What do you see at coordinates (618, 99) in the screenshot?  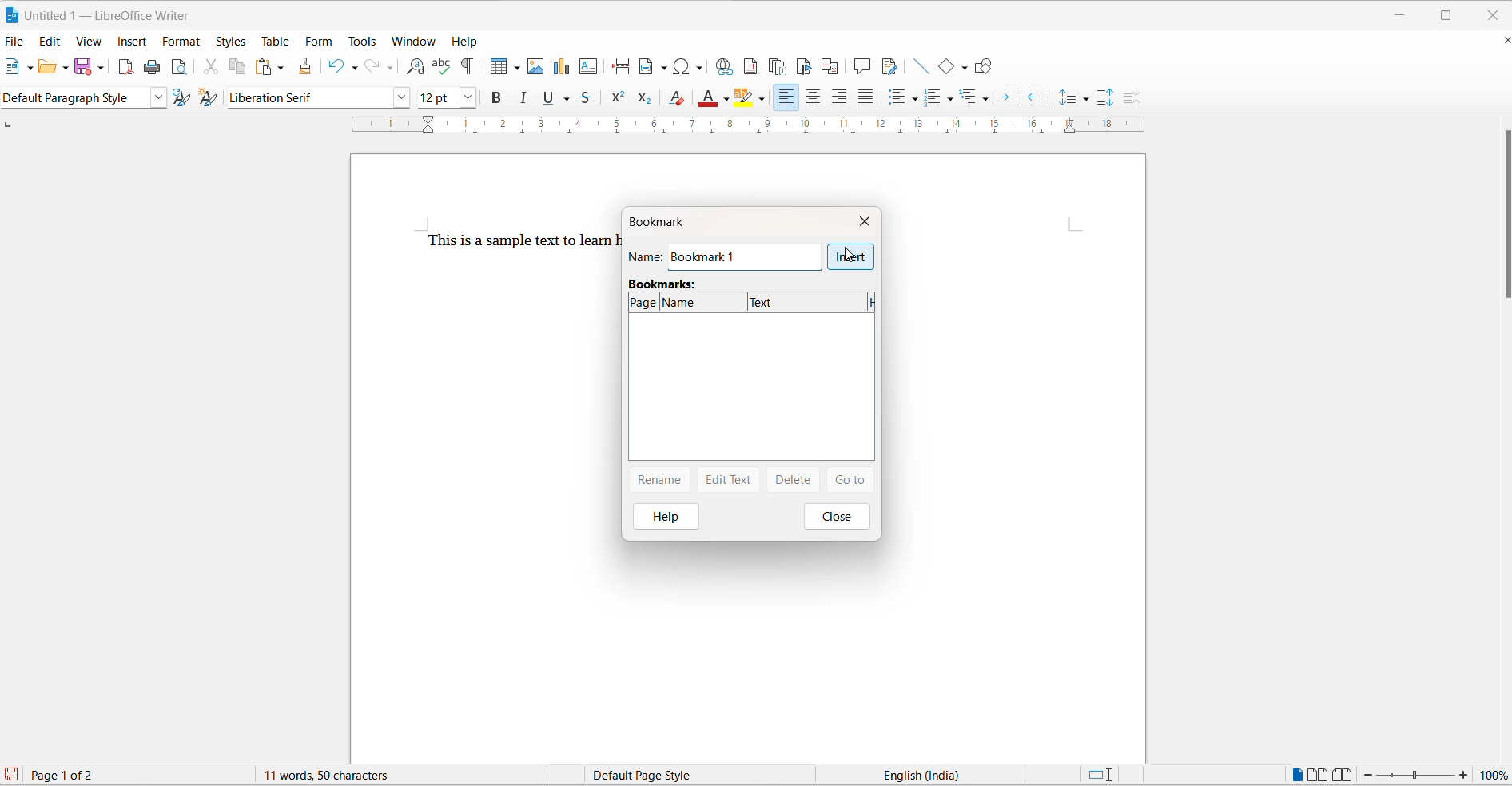 I see `superscript` at bounding box center [618, 99].